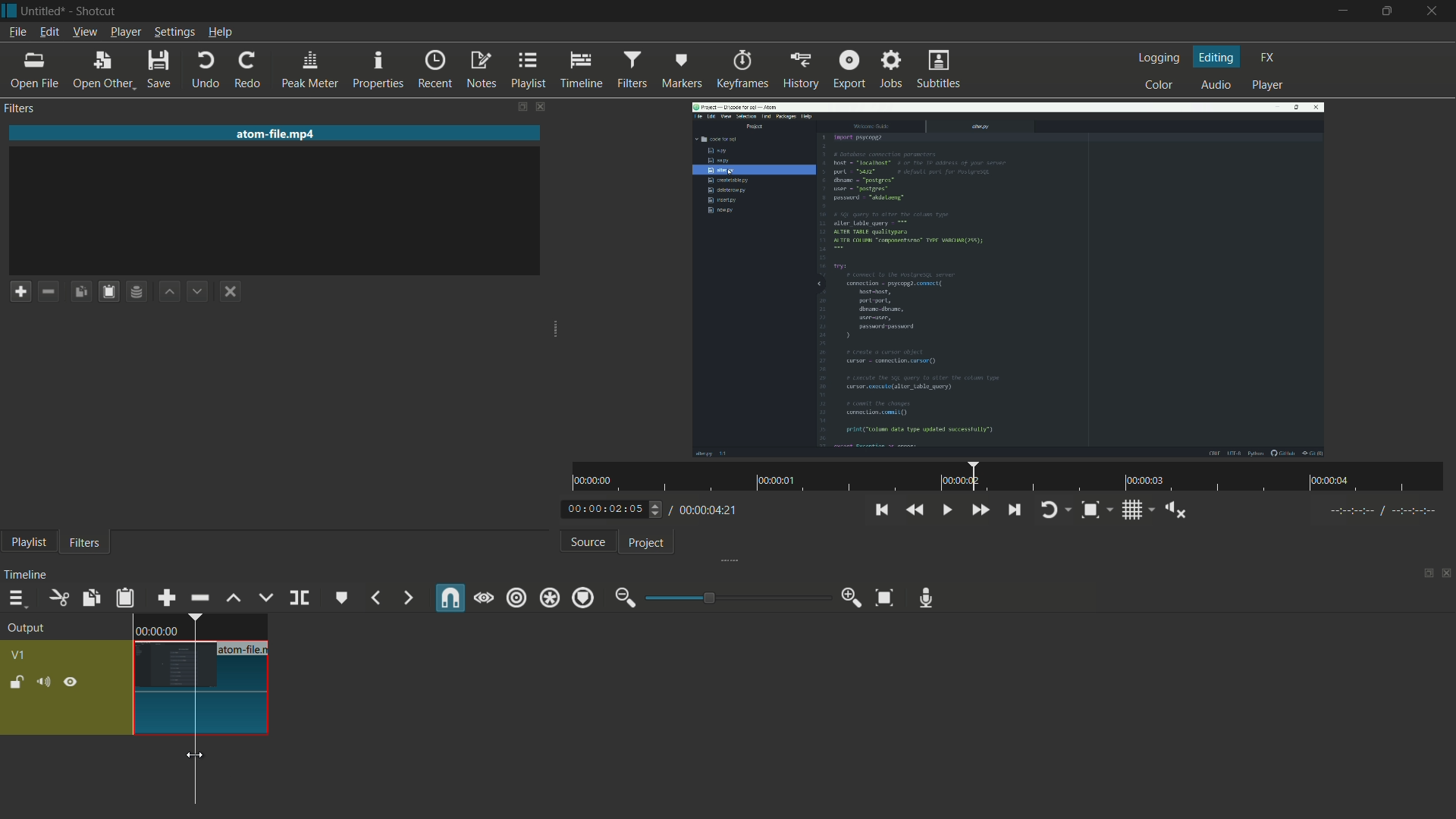 This screenshot has width=1456, height=819. I want to click on jobs, so click(893, 70).